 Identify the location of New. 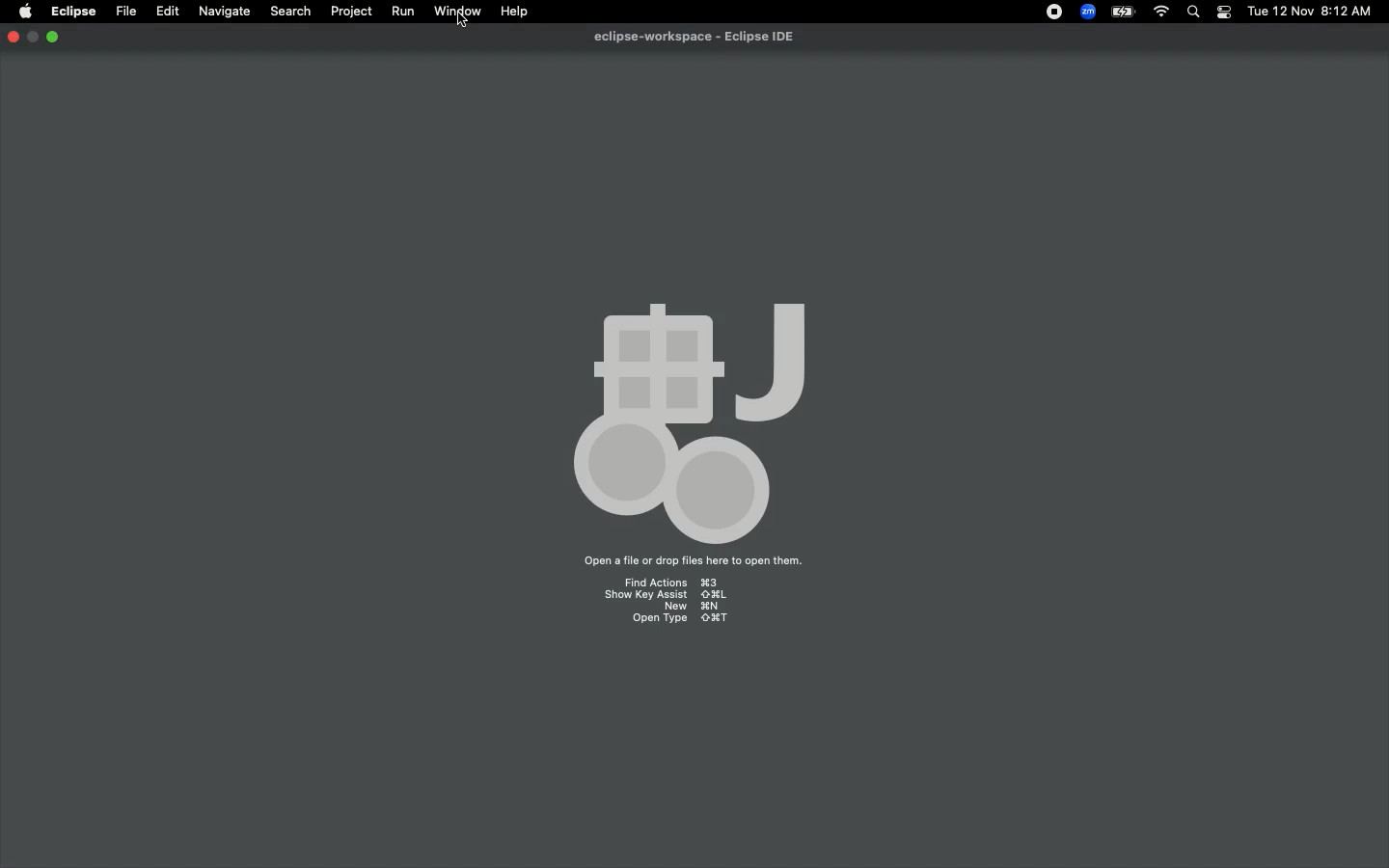
(693, 608).